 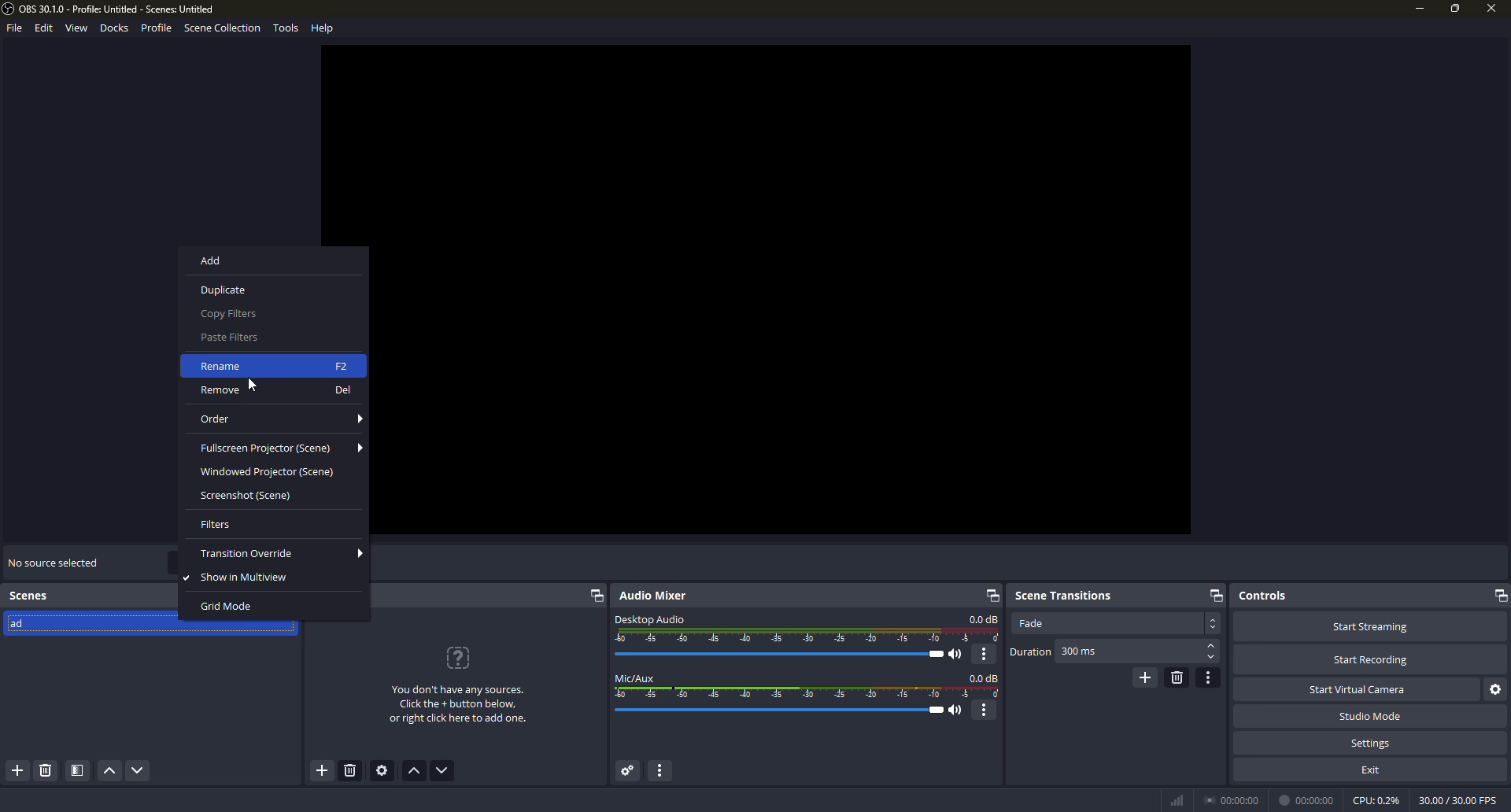 What do you see at coordinates (989, 595) in the screenshot?
I see `expand` at bounding box center [989, 595].